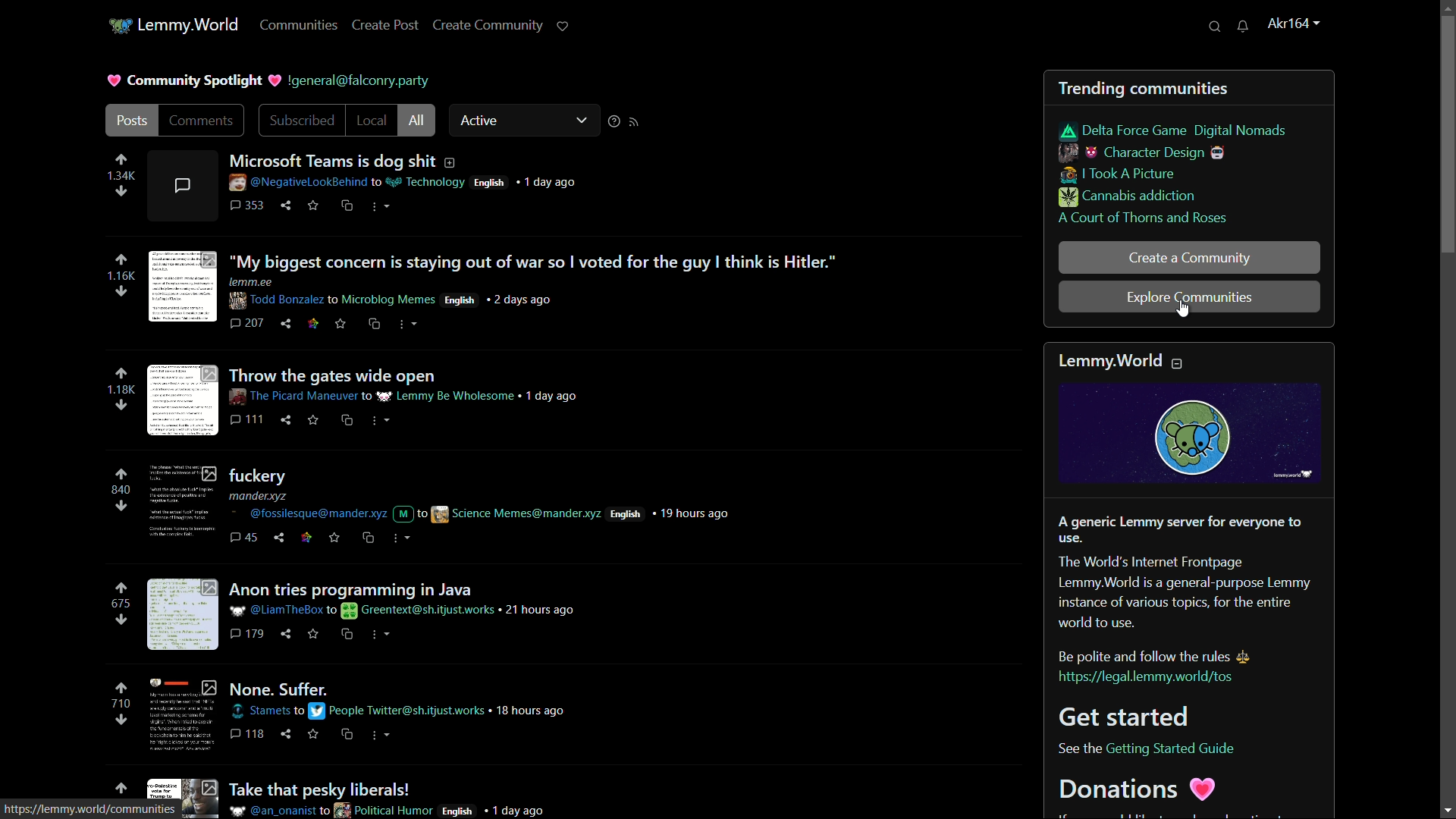 The image size is (1456, 819). I want to click on share, so click(287, 204).